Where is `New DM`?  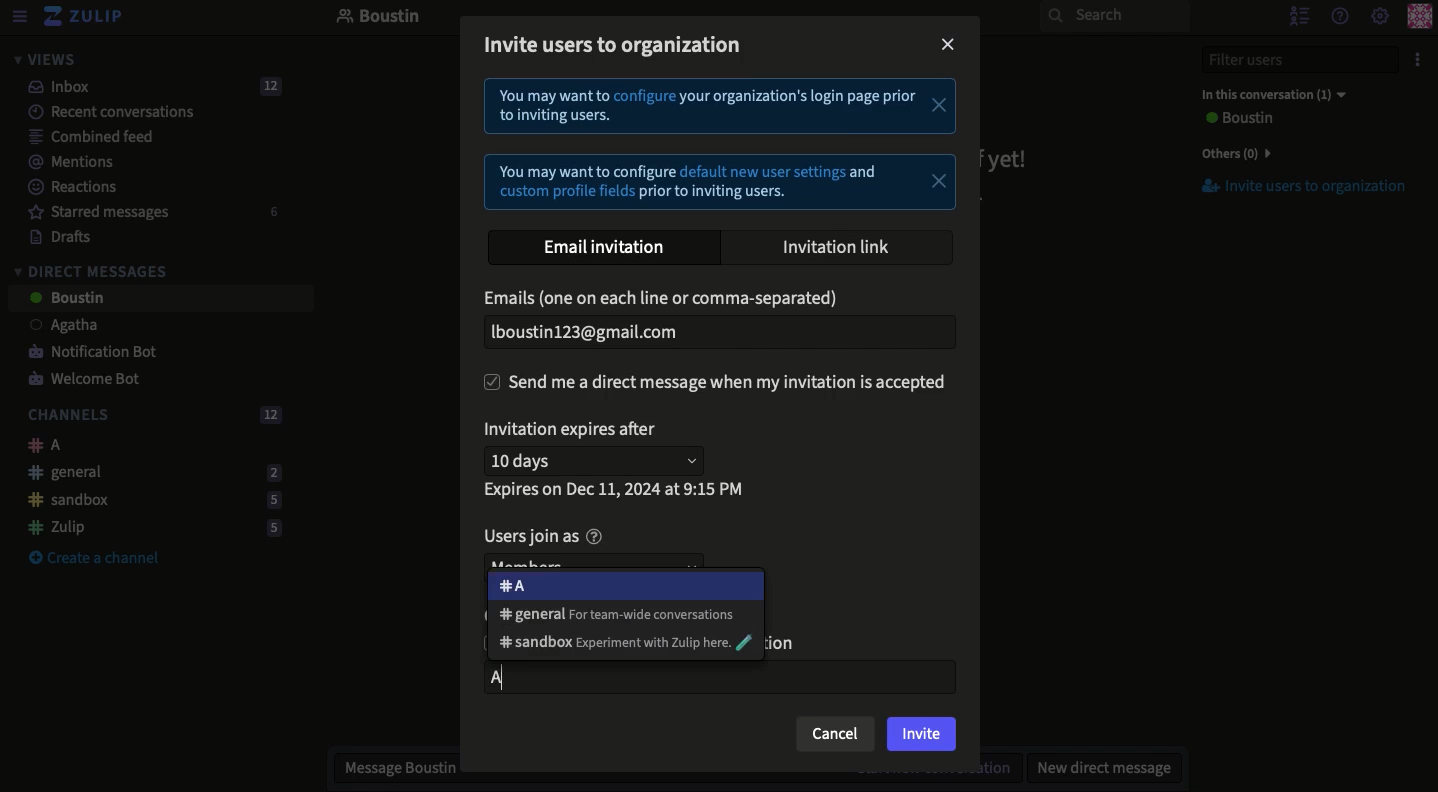 New DM is located at coordinates (1099, 767).